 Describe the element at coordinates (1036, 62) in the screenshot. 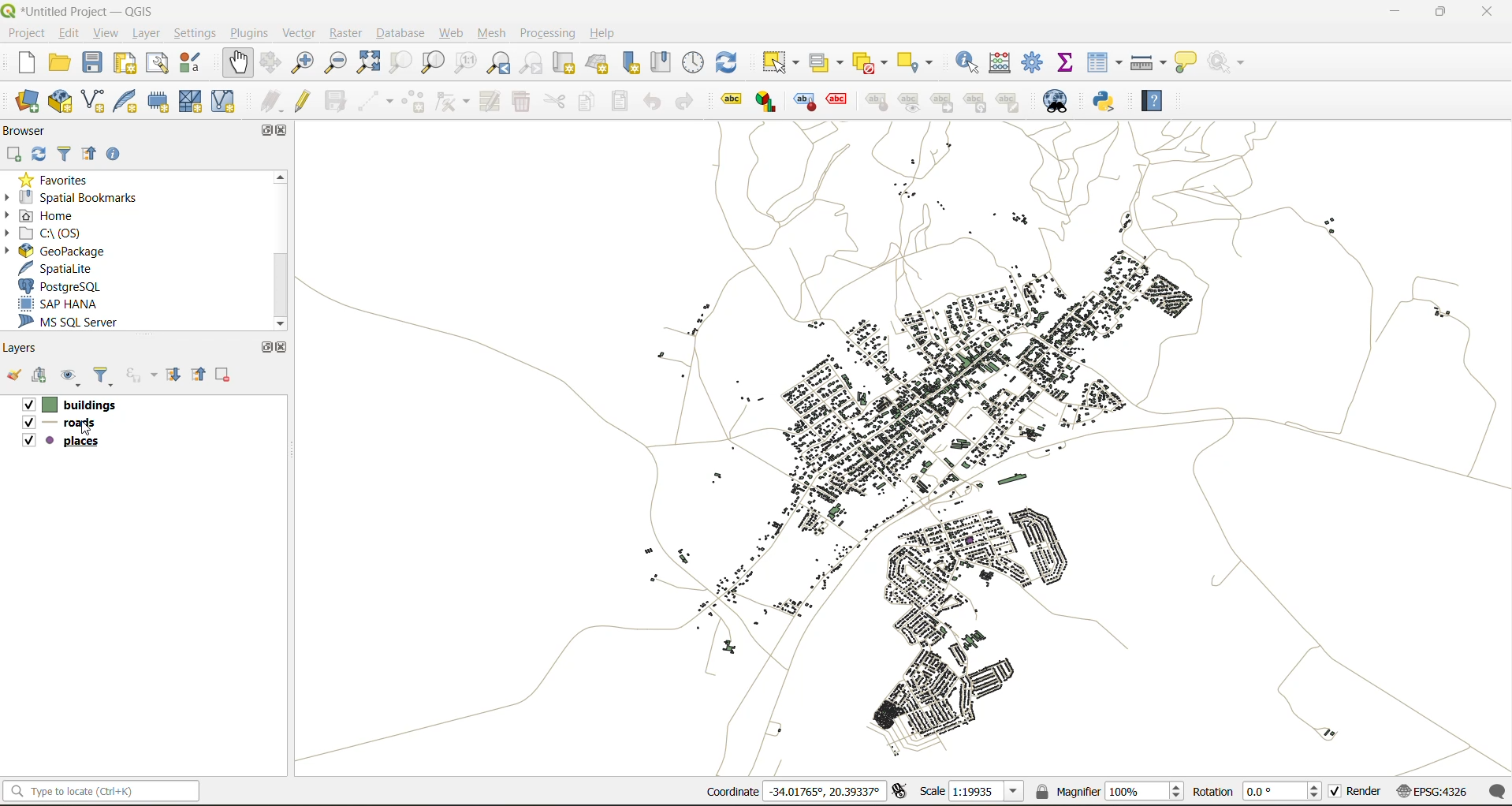

I see `toolbox` at that location.